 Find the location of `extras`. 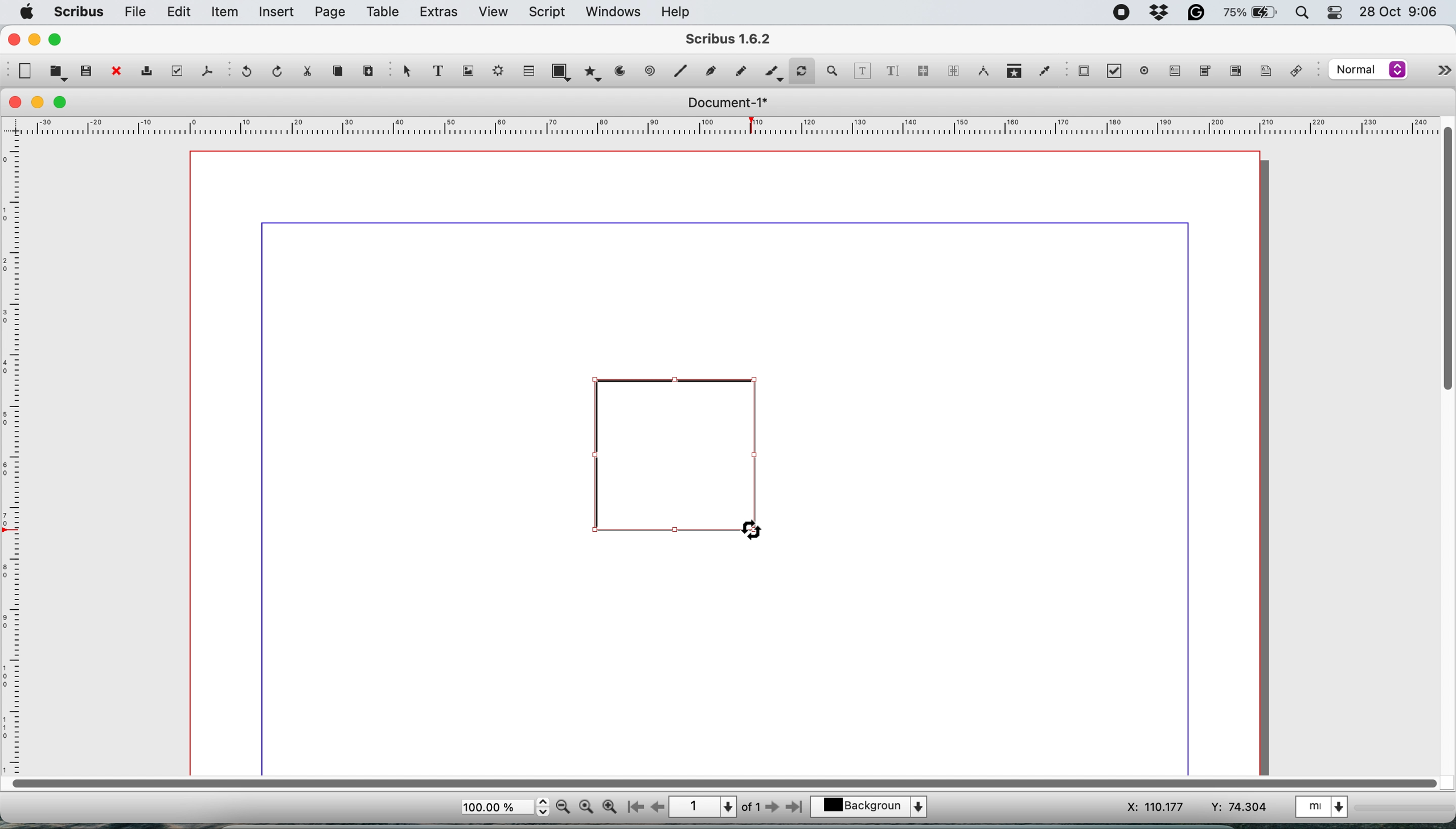

extras is located at coordinates (439, 13).